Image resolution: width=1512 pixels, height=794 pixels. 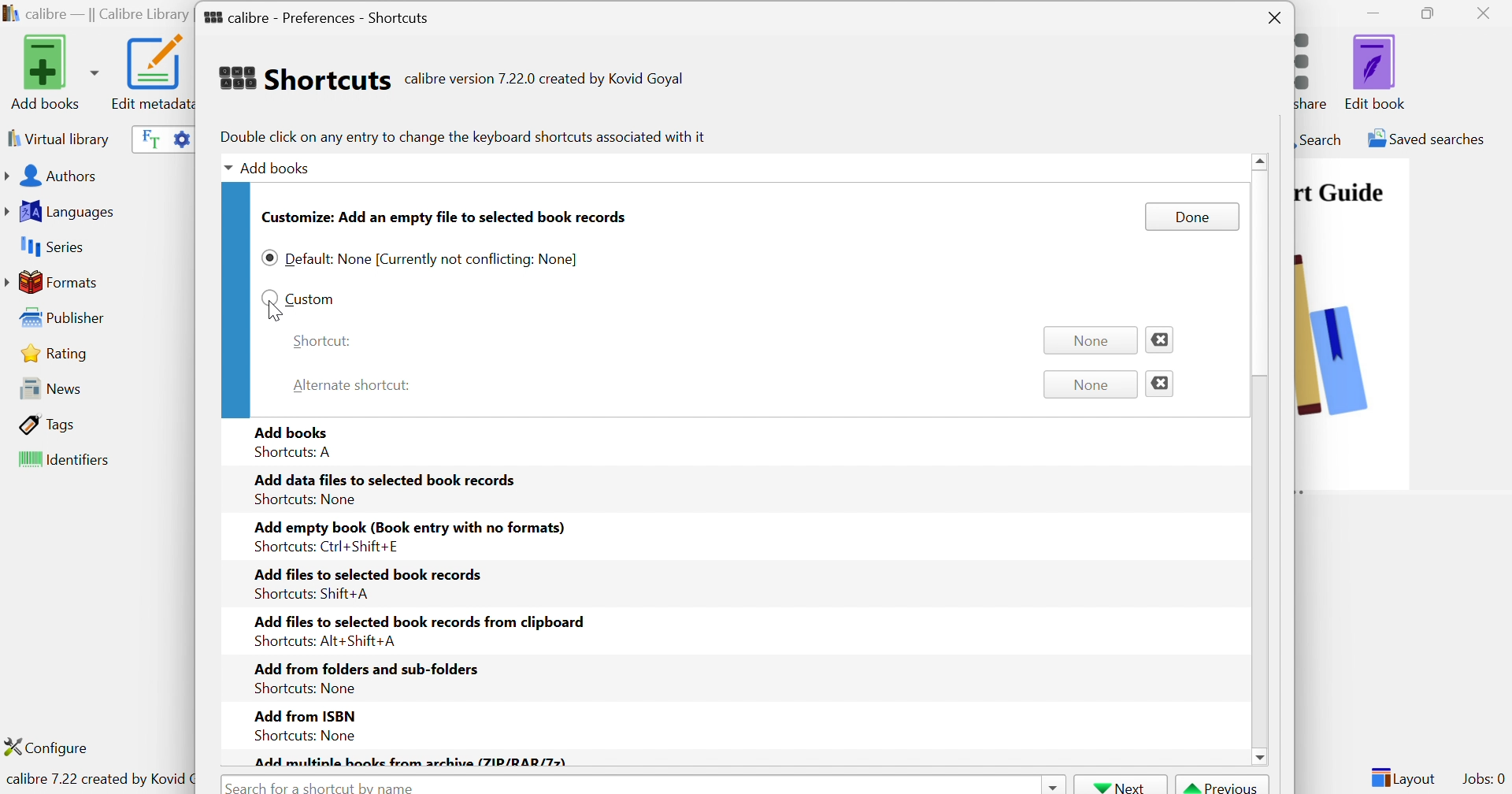 I want to click on Alternate shortcut, so click(x=354, y=384).